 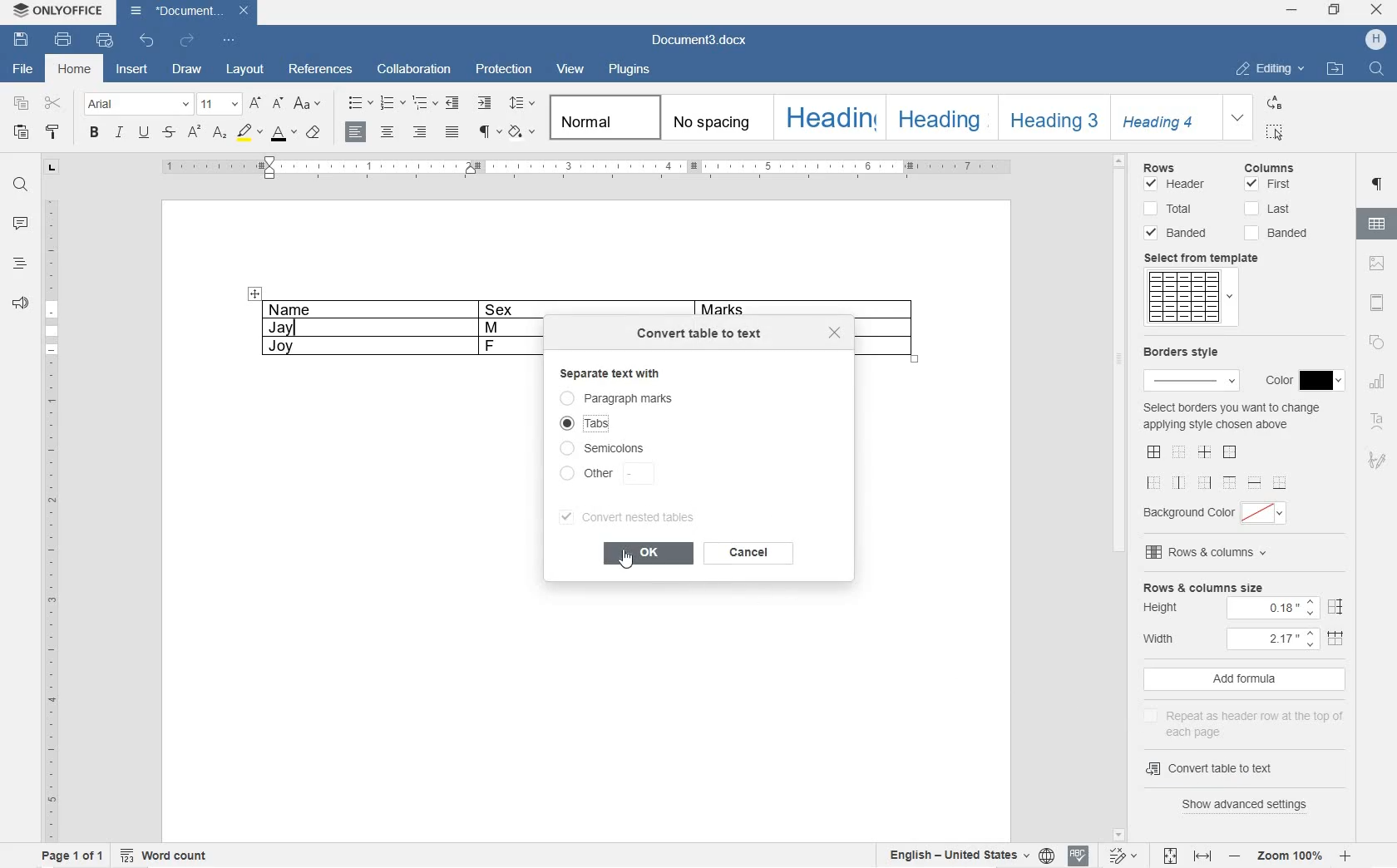 What do you see at coordinates (1209, 257) in the screenshot?
I see `select from template` at bounding box center [1209, 257].